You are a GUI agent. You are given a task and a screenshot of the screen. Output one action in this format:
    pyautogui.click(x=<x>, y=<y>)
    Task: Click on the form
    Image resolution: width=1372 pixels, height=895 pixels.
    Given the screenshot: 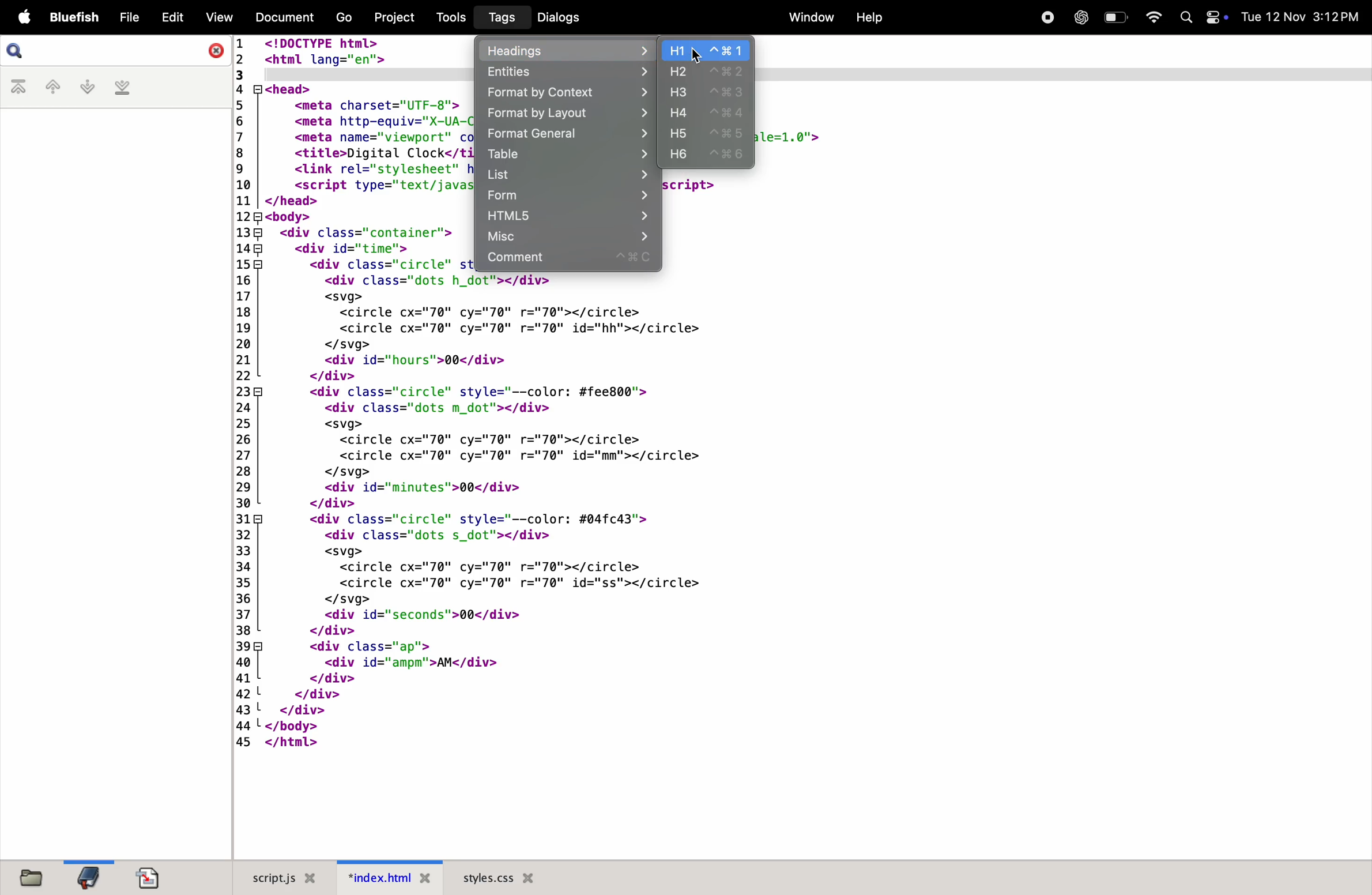 What is the action you would take?
    pyautogui.click(x=566, y=196)
    